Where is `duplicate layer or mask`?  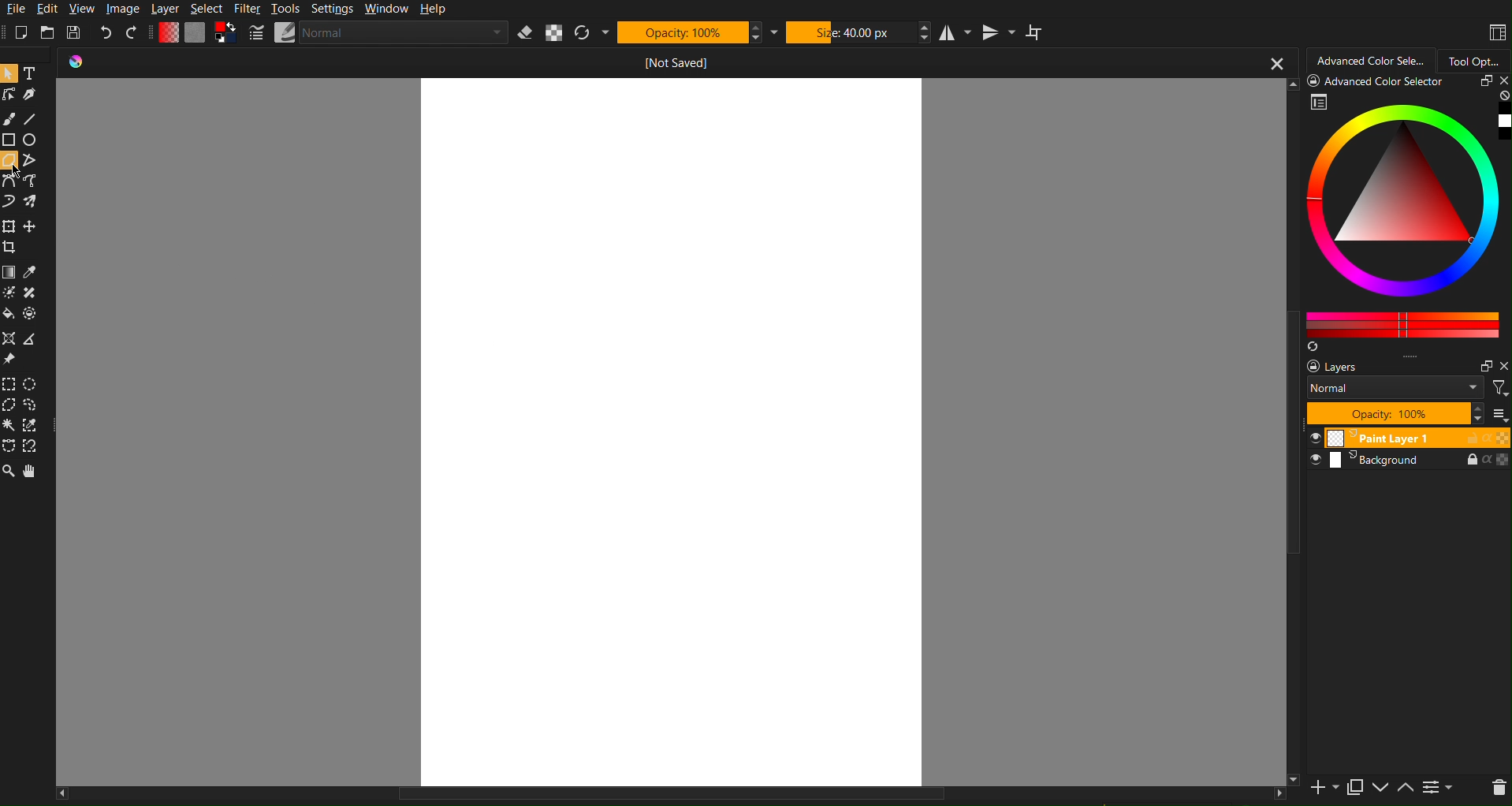 duplicate layer or mask is located at coordinates (1355, 789).